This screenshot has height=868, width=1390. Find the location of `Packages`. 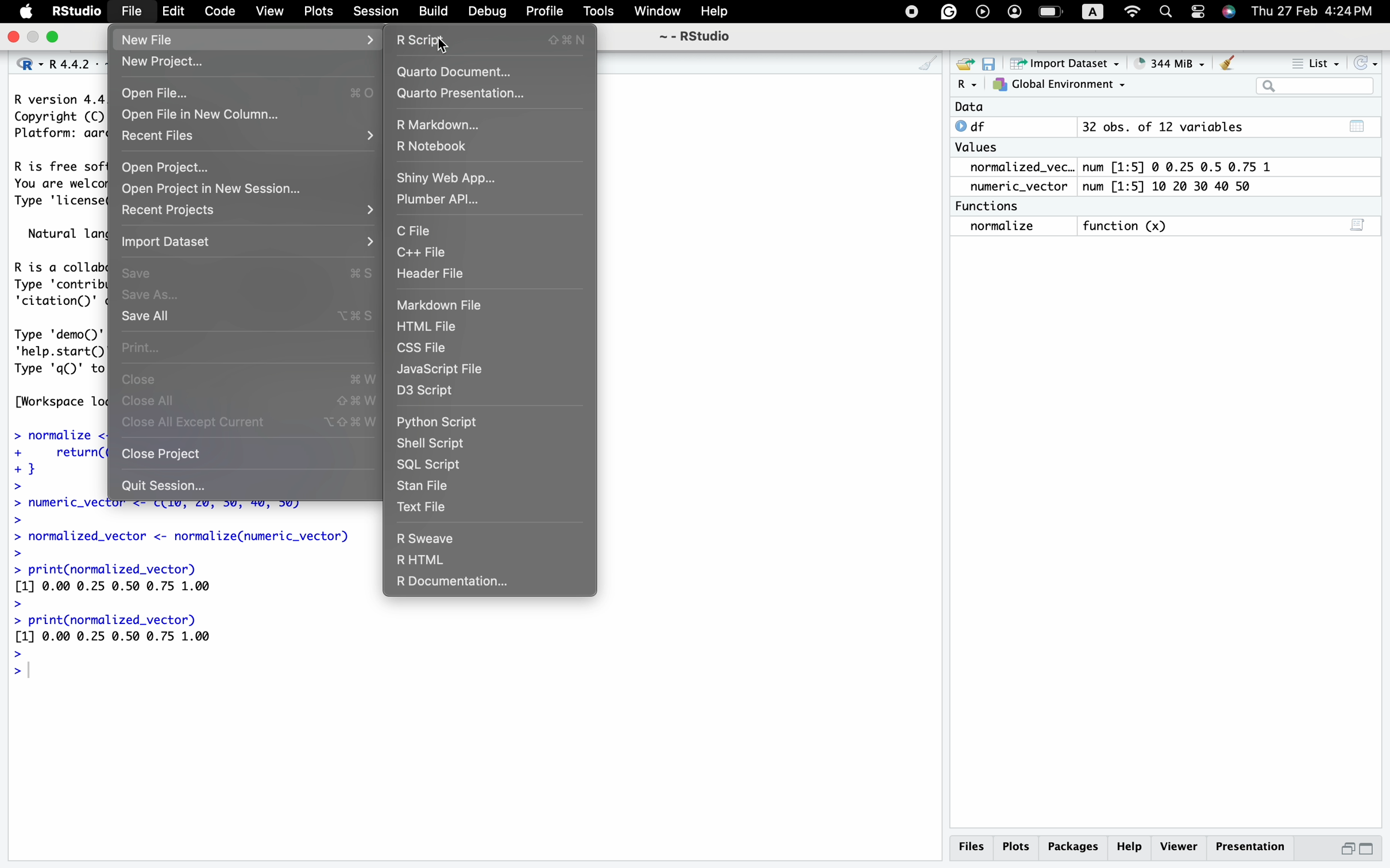

Packages is located at coordinates (1074, 849).